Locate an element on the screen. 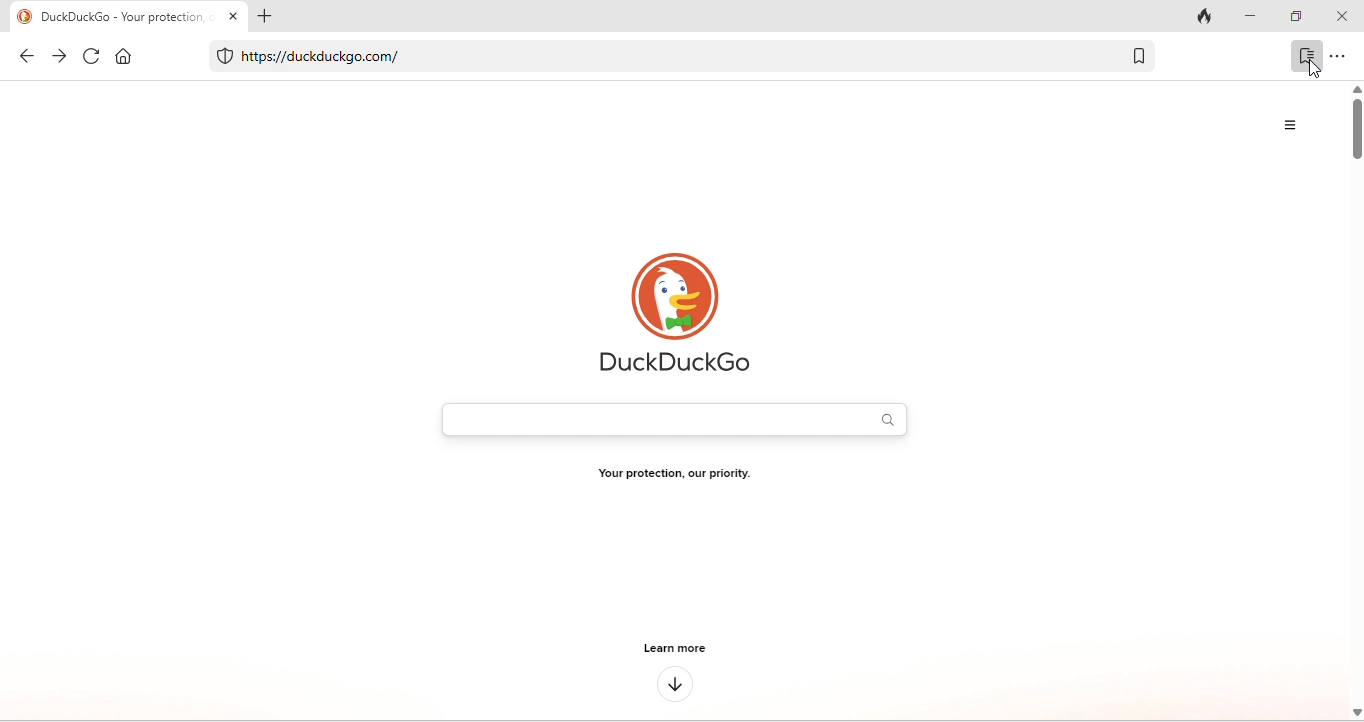  minimize is located at coordinates (1249, 17).